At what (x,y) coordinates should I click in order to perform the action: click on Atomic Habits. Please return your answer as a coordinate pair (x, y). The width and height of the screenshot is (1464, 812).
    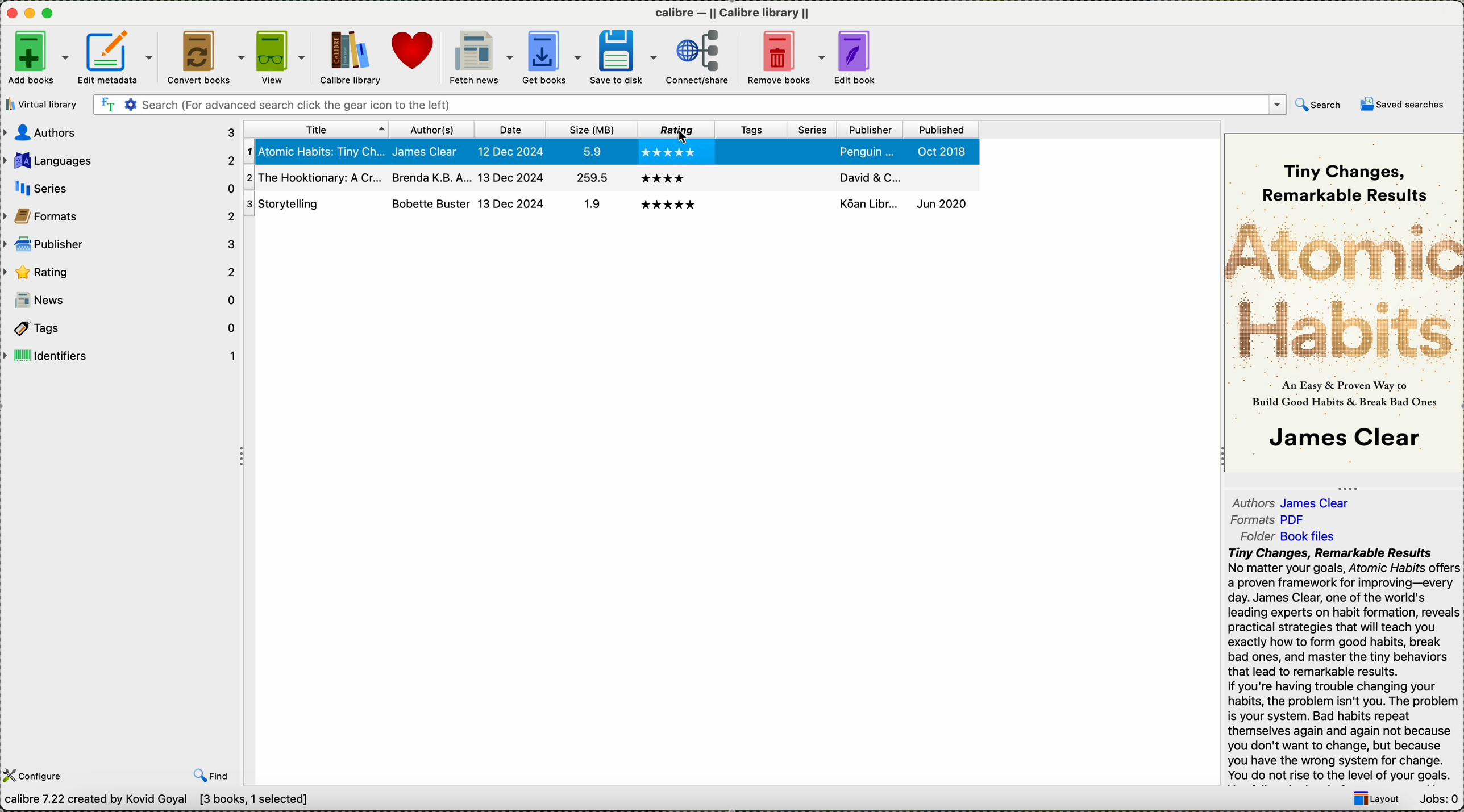
    Looking at the image, I should click on (1343, 287).